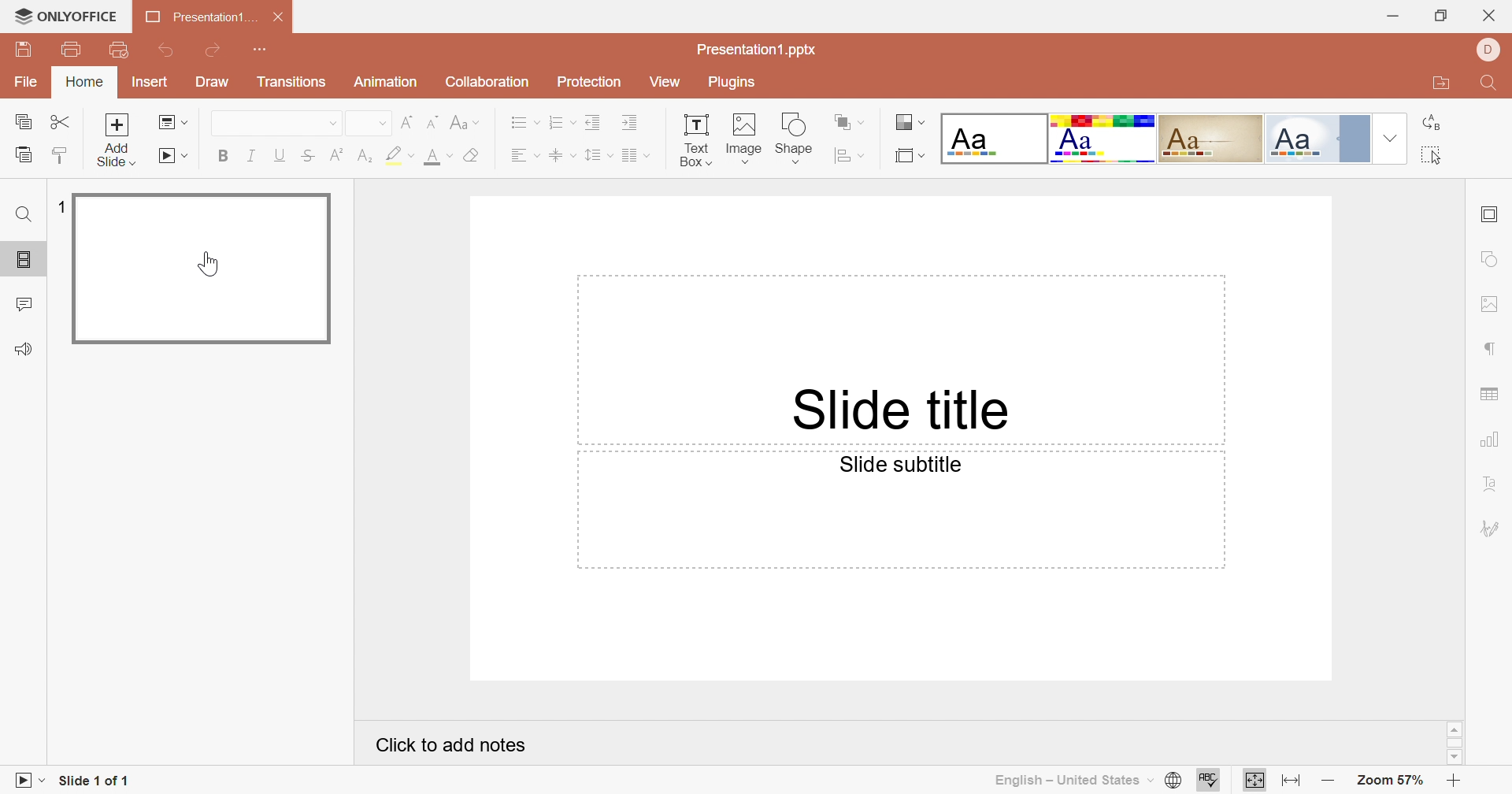  What do you see at coordinates (521, 122) in the screenshot?
I see `Bullets` at bounding box center [521, 122].